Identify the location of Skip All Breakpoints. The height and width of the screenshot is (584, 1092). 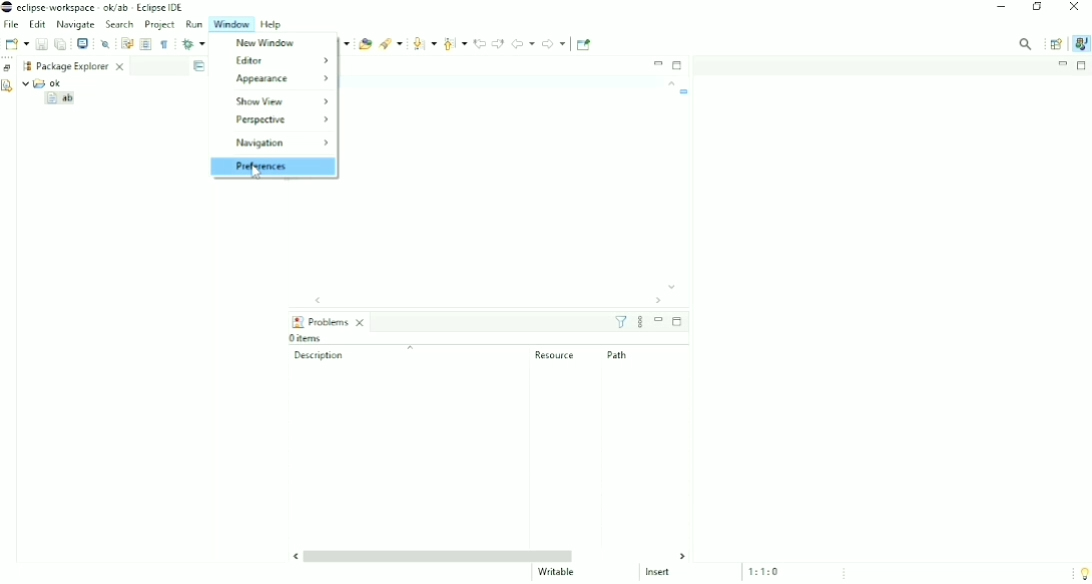
(106, 43).